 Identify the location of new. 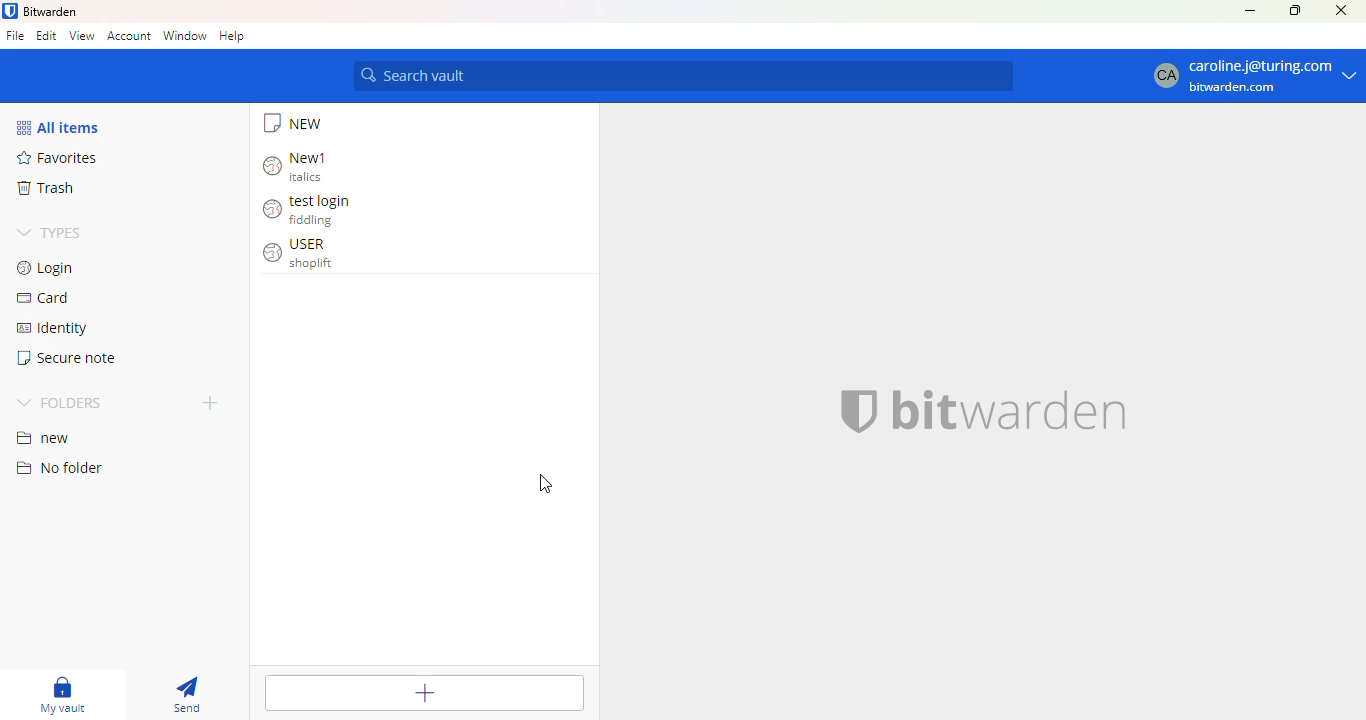
(42, 439).